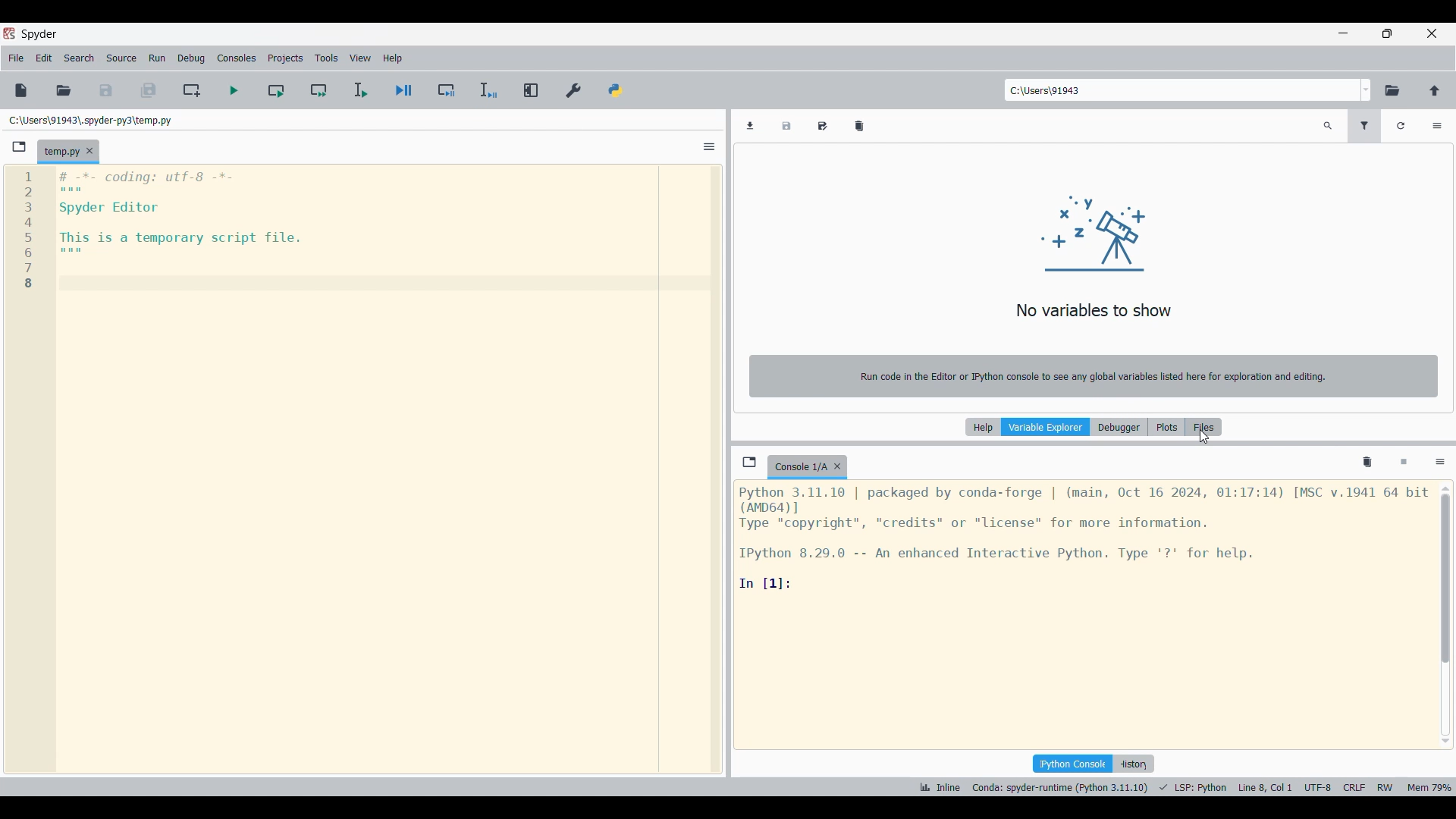 The height and width of the screenshot is (819, 1456). Describe the element at coordinates (1166, 427) in the screenshot. I see `Plots` at that location.